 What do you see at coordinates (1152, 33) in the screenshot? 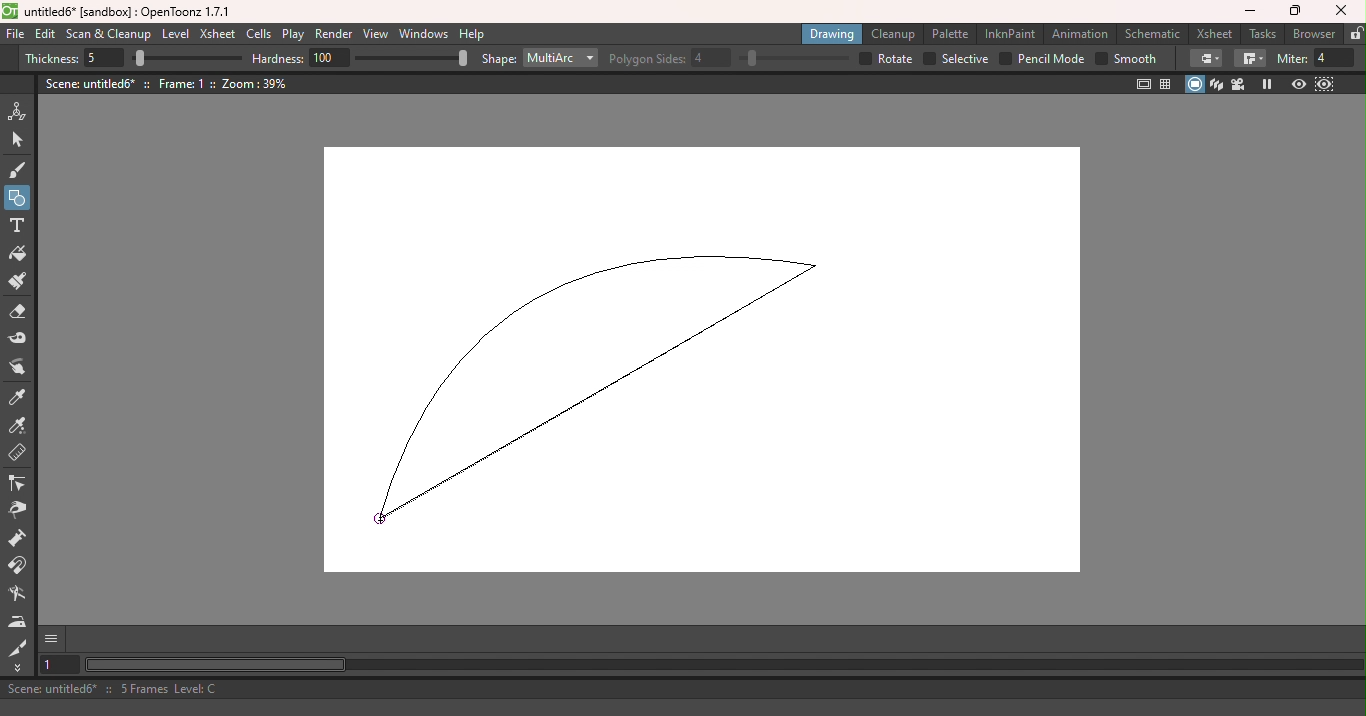
I see `Schematic` at bounding box center [1152, 33].